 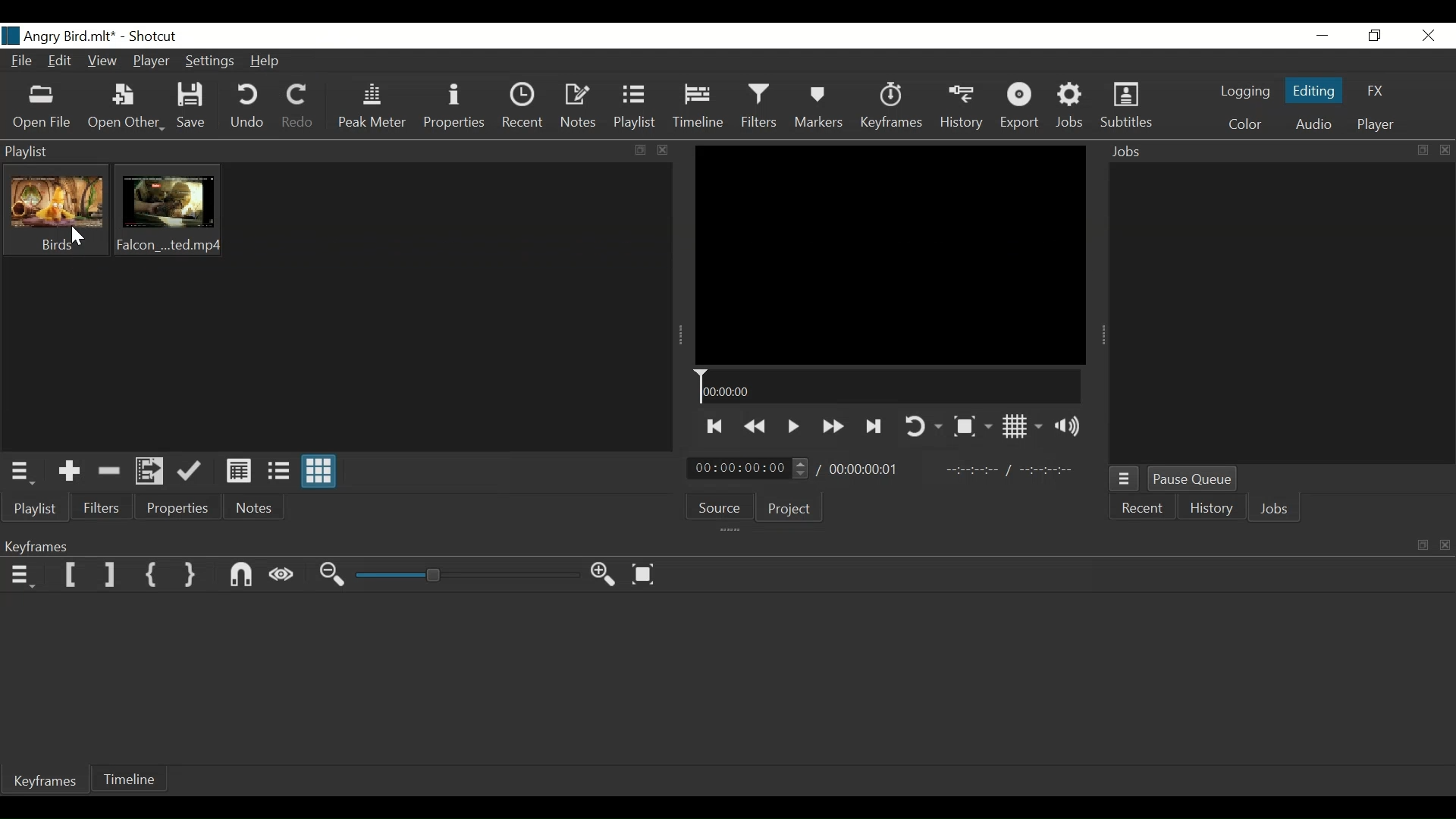 I want to click on Editing, so click(x=1313, y=89).